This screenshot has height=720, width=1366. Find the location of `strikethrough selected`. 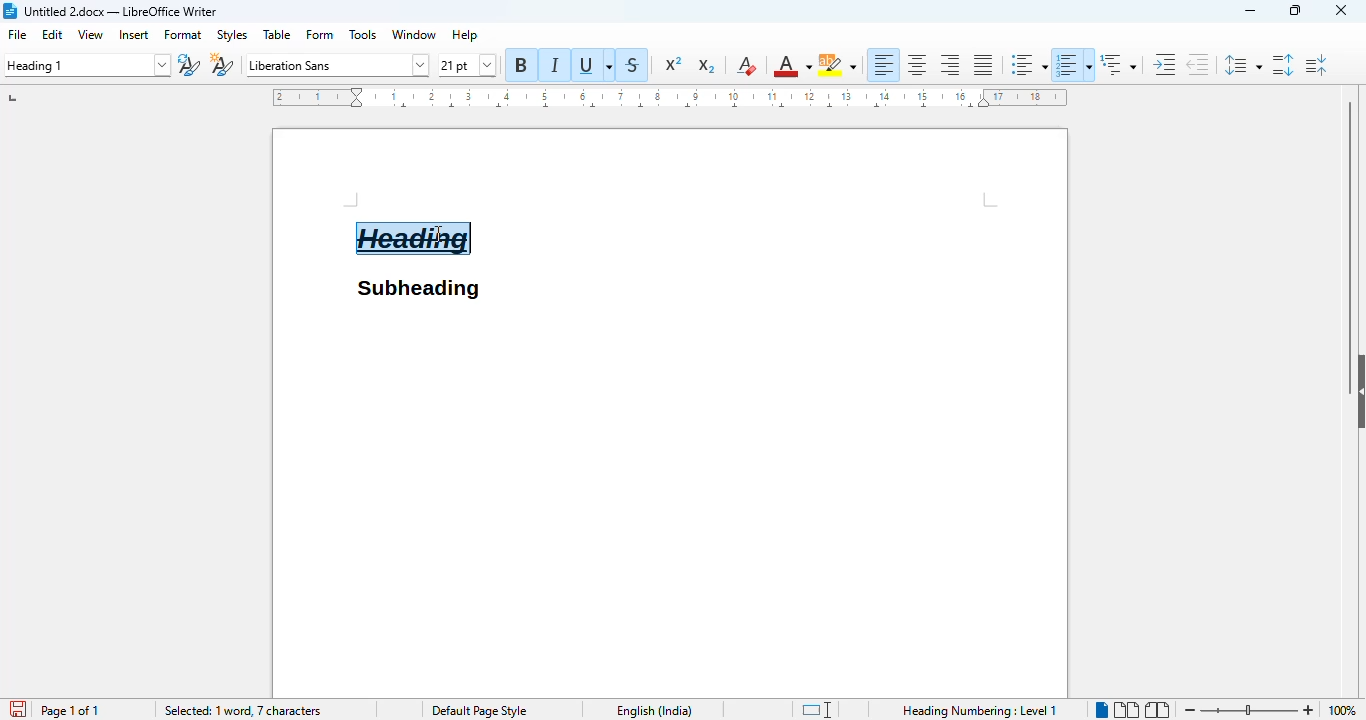

strikethrough selected is located at coordinates (633, 65).